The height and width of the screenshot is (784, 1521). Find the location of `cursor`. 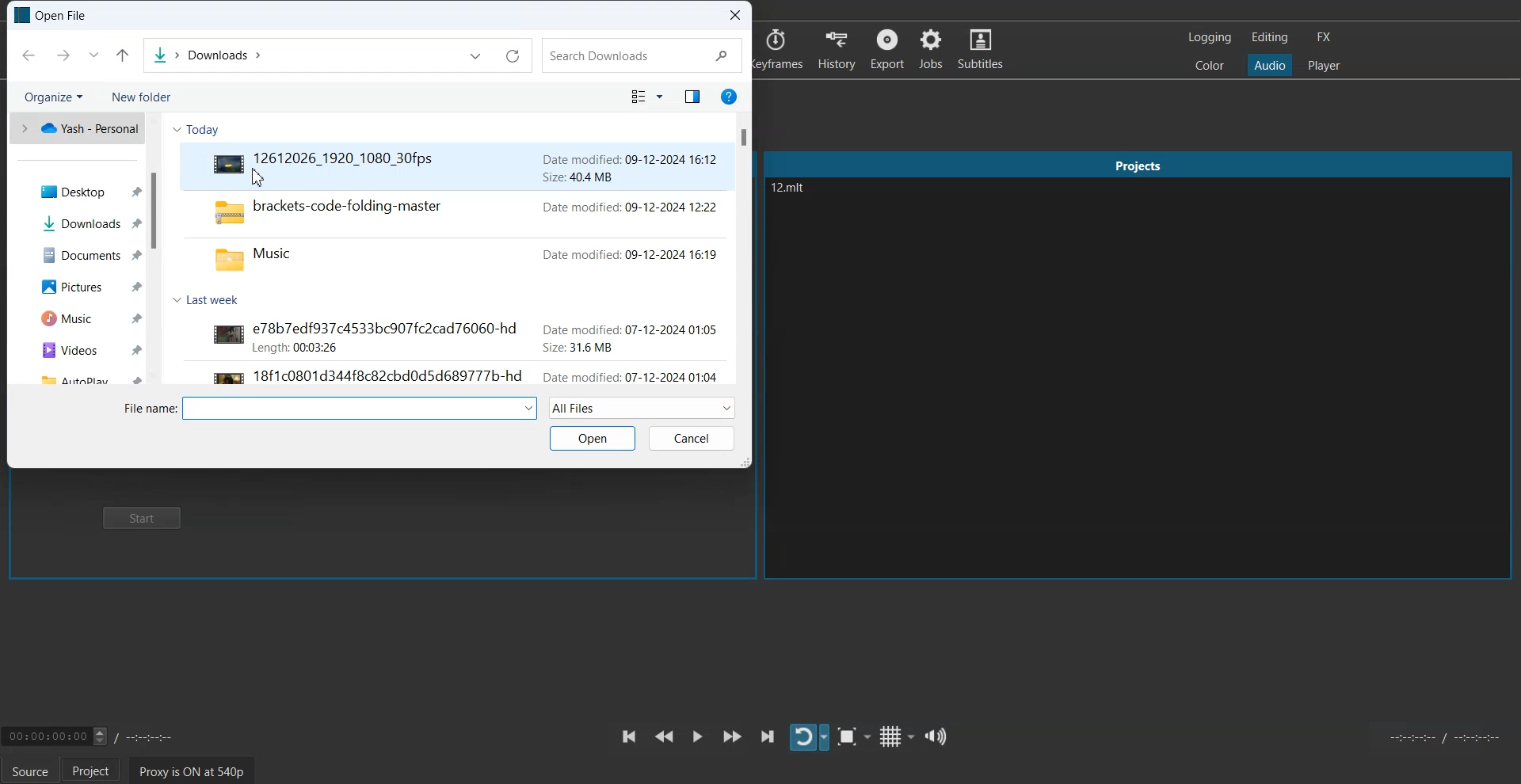

cursor is located at coordinates (249, 189).